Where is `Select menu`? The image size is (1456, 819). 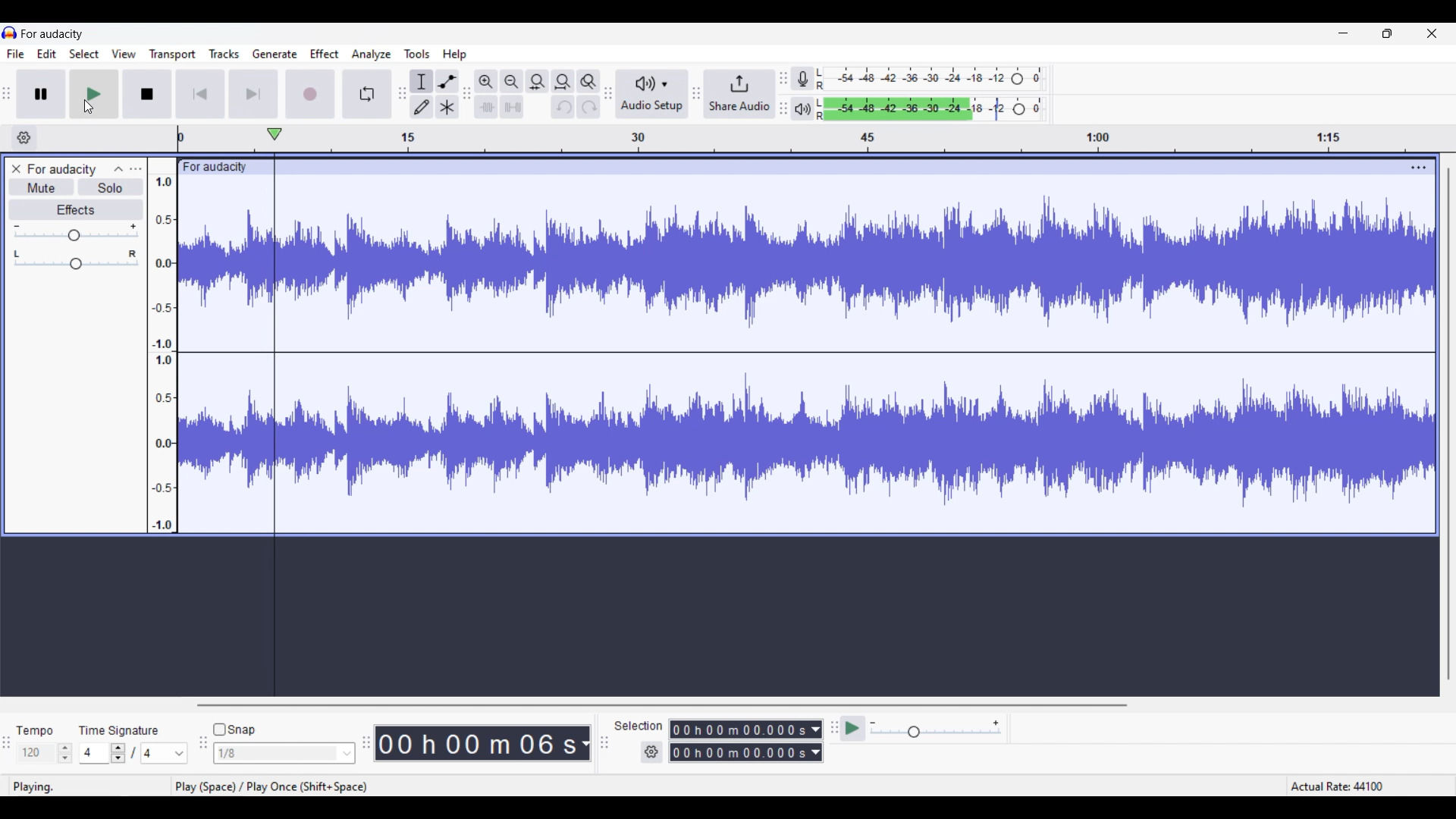
Select menu is located at coordinates (84, 54).